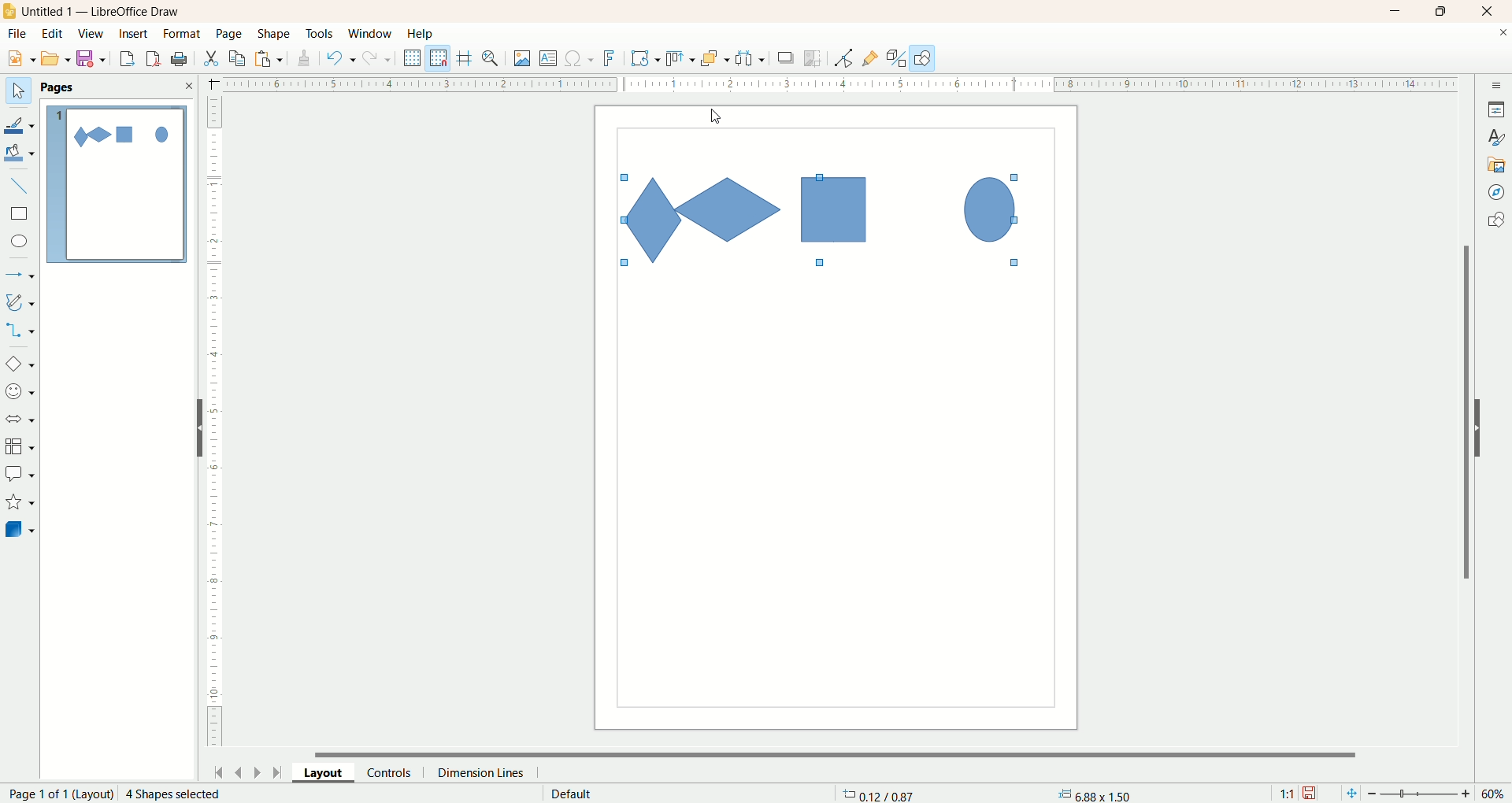  Describe the element at coordinates (1350, 794) in the screenshot. I see `fit to current window` at that location.